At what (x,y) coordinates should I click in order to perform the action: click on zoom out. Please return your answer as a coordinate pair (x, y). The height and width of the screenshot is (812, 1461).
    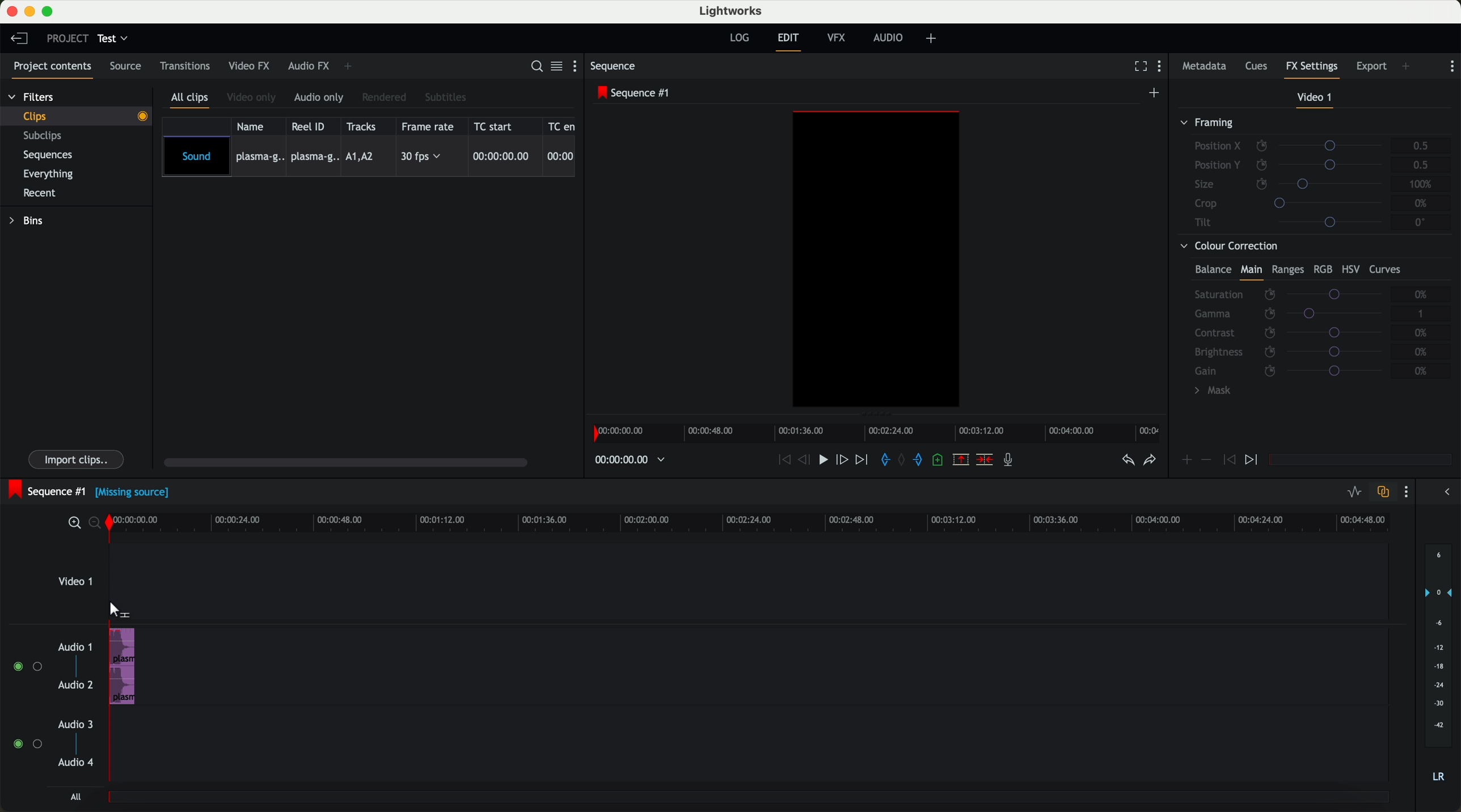
    Looking at the image, I should click on (98, 525).